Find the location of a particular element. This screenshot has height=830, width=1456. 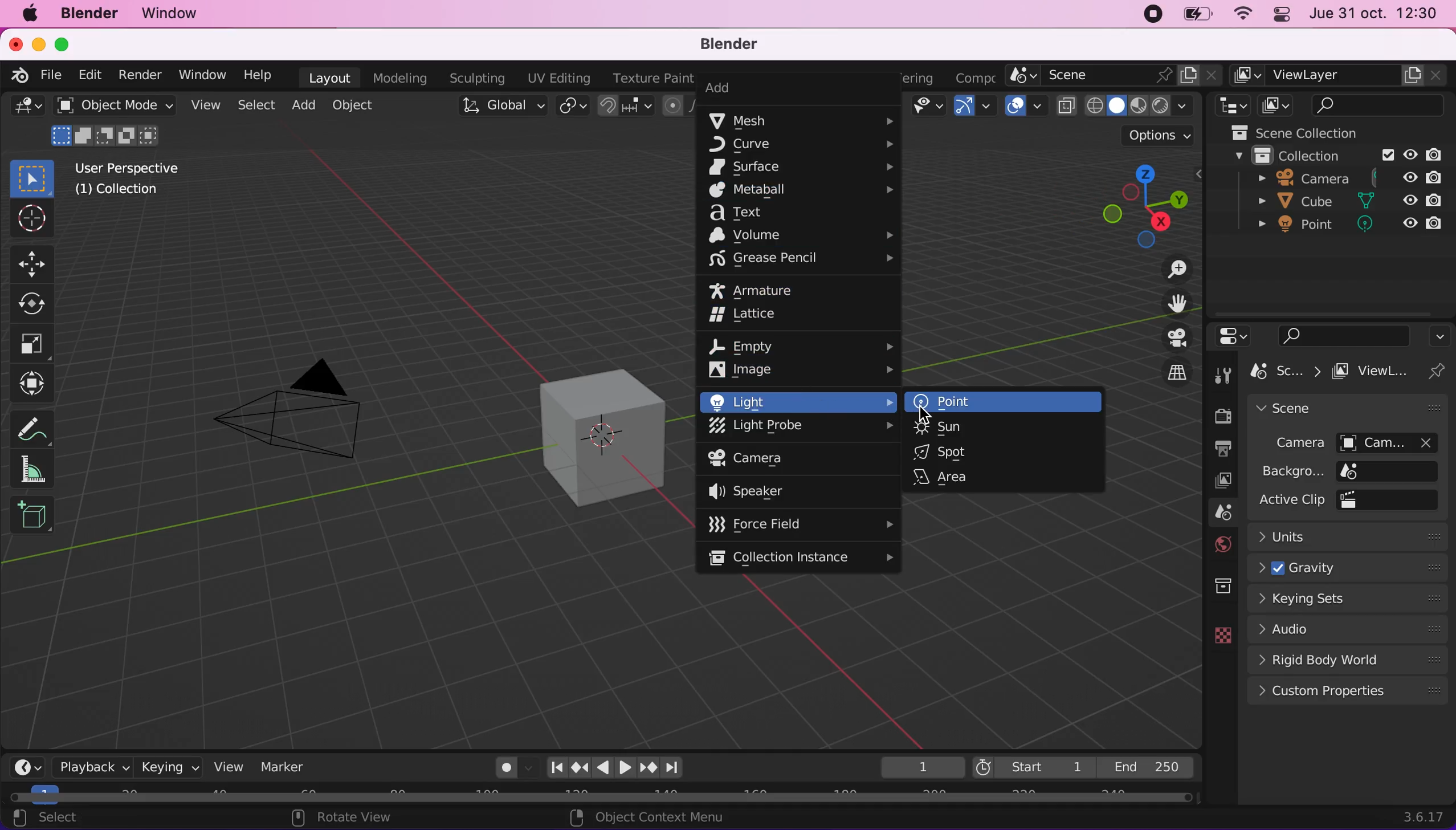

background is located at coordinates (1391, 470).